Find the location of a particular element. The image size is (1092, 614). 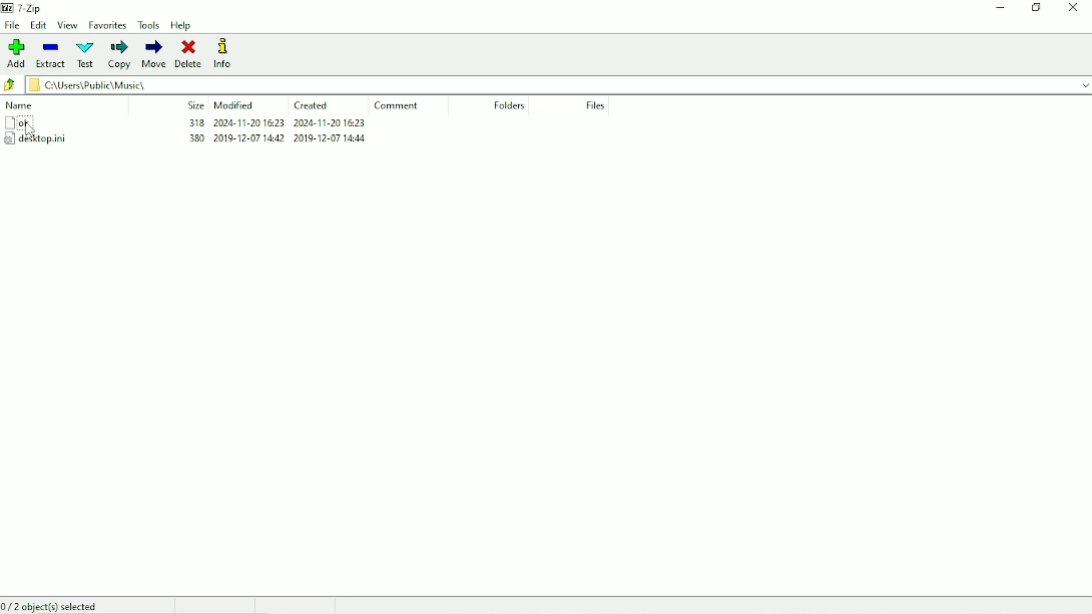

Favorites is located at coordinates (108, 24).